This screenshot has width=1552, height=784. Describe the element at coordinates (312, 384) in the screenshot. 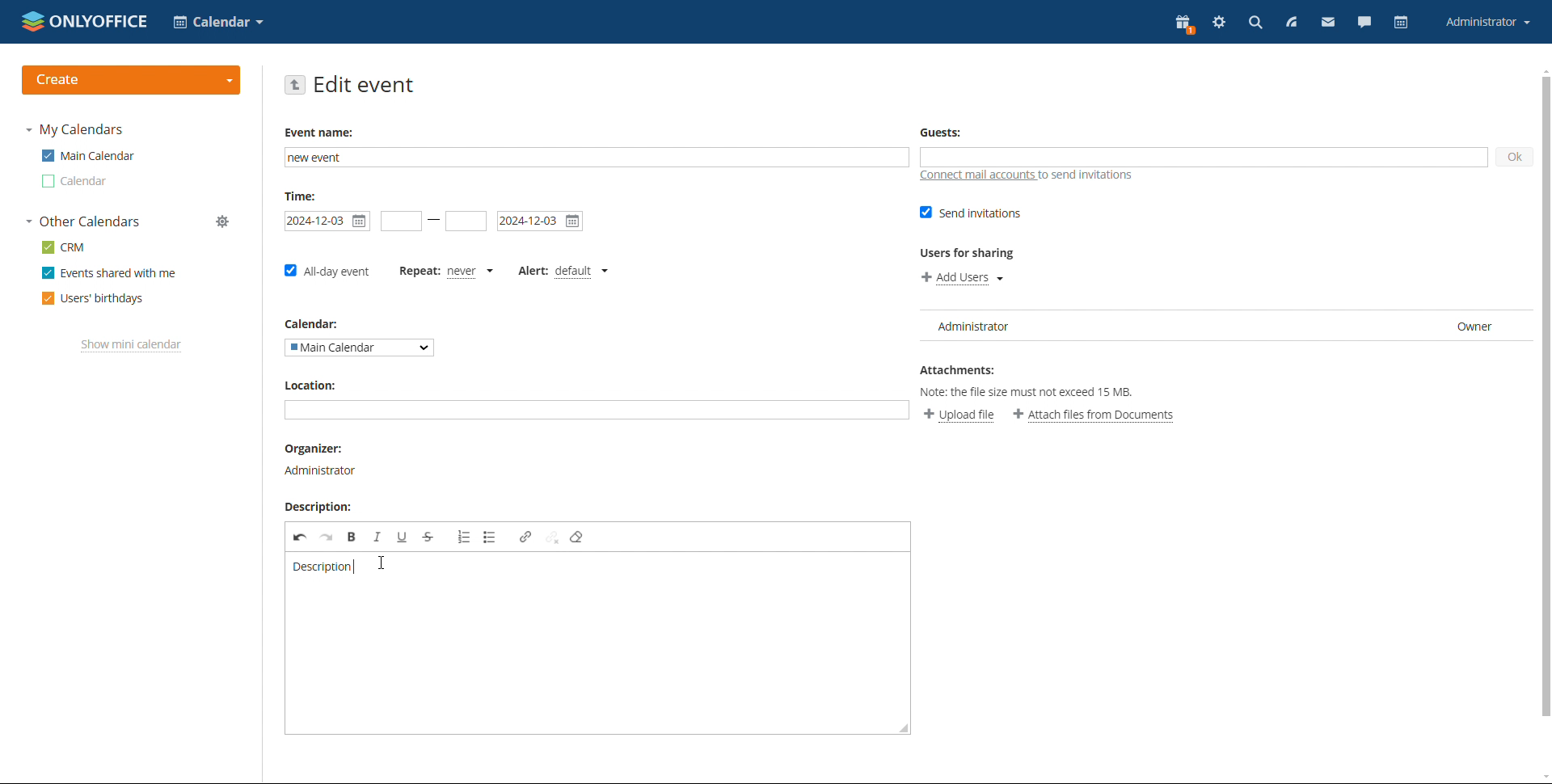

I see `Location:` at that location.